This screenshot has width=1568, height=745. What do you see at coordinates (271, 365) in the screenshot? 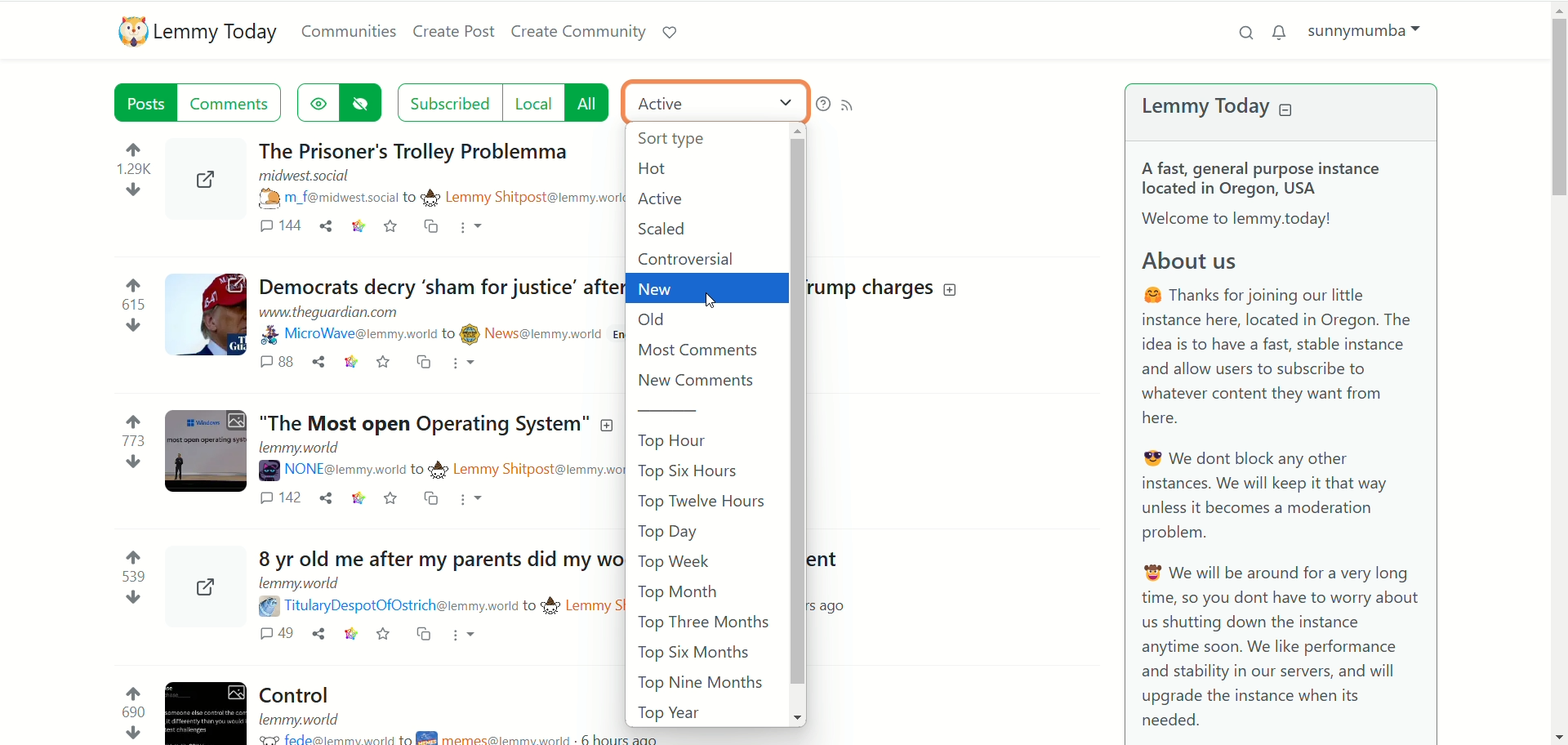
I see `comments` at bounding box center [271, 365].